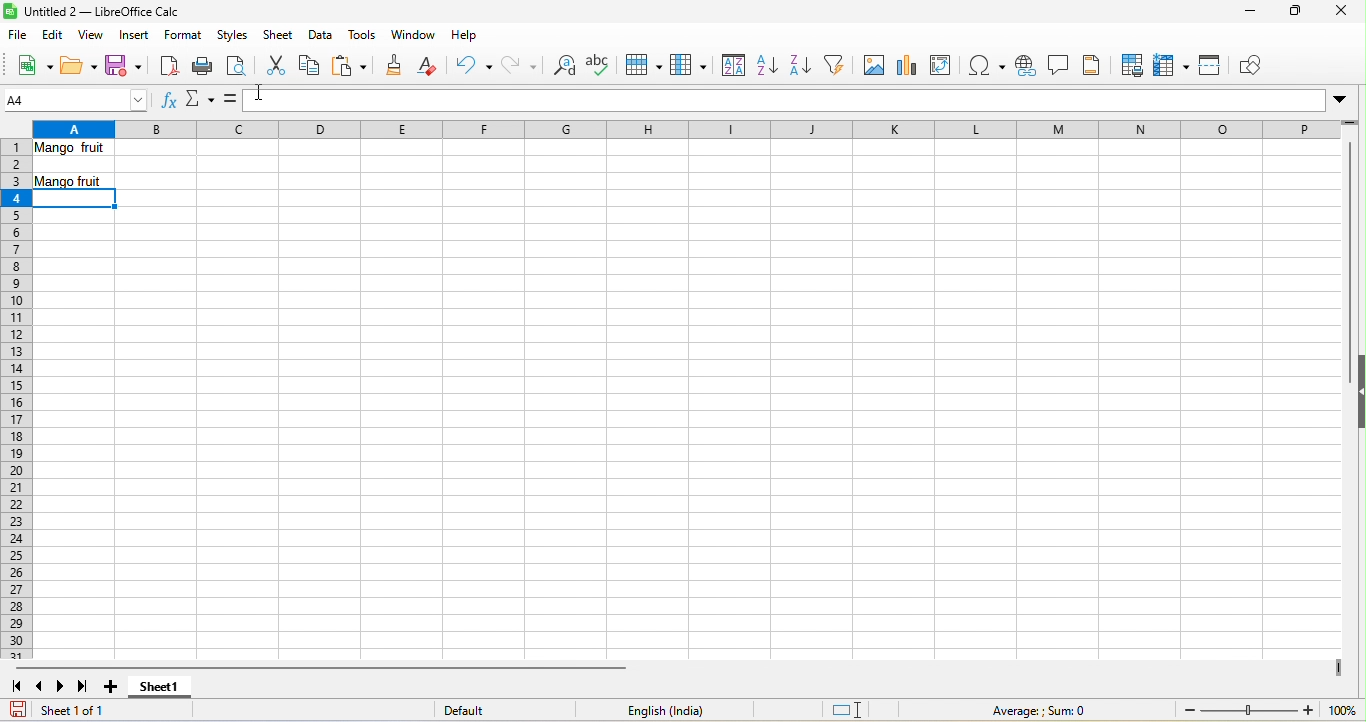 The image size is (1366, 722). What do you see at coordinates (1257, 65) in the screenshot?
I see `show draw function` at bounding box center [1257, 65].